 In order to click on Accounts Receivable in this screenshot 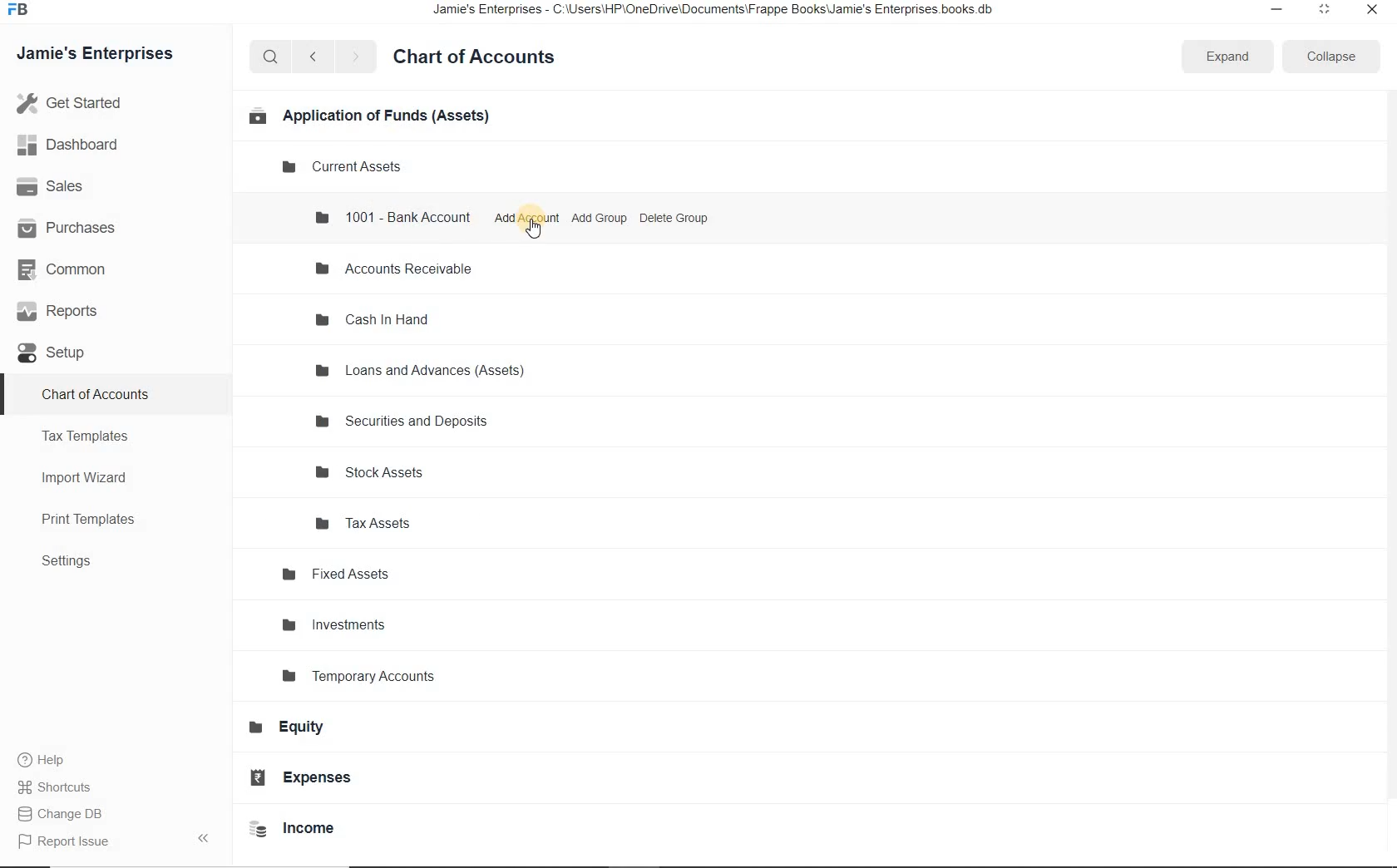, I will do `click(399, 269)`.